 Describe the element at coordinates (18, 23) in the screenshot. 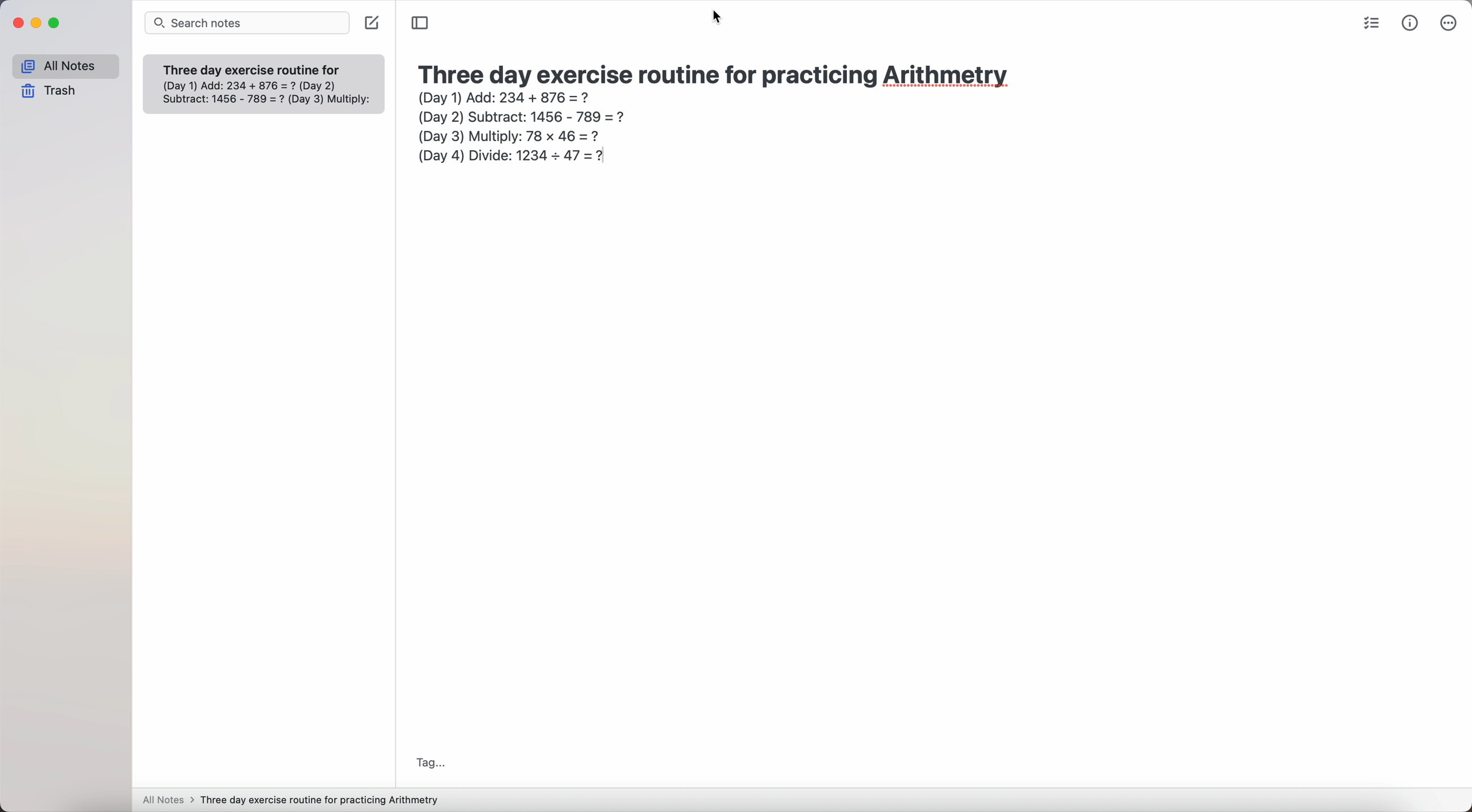

I see `close` at that location.